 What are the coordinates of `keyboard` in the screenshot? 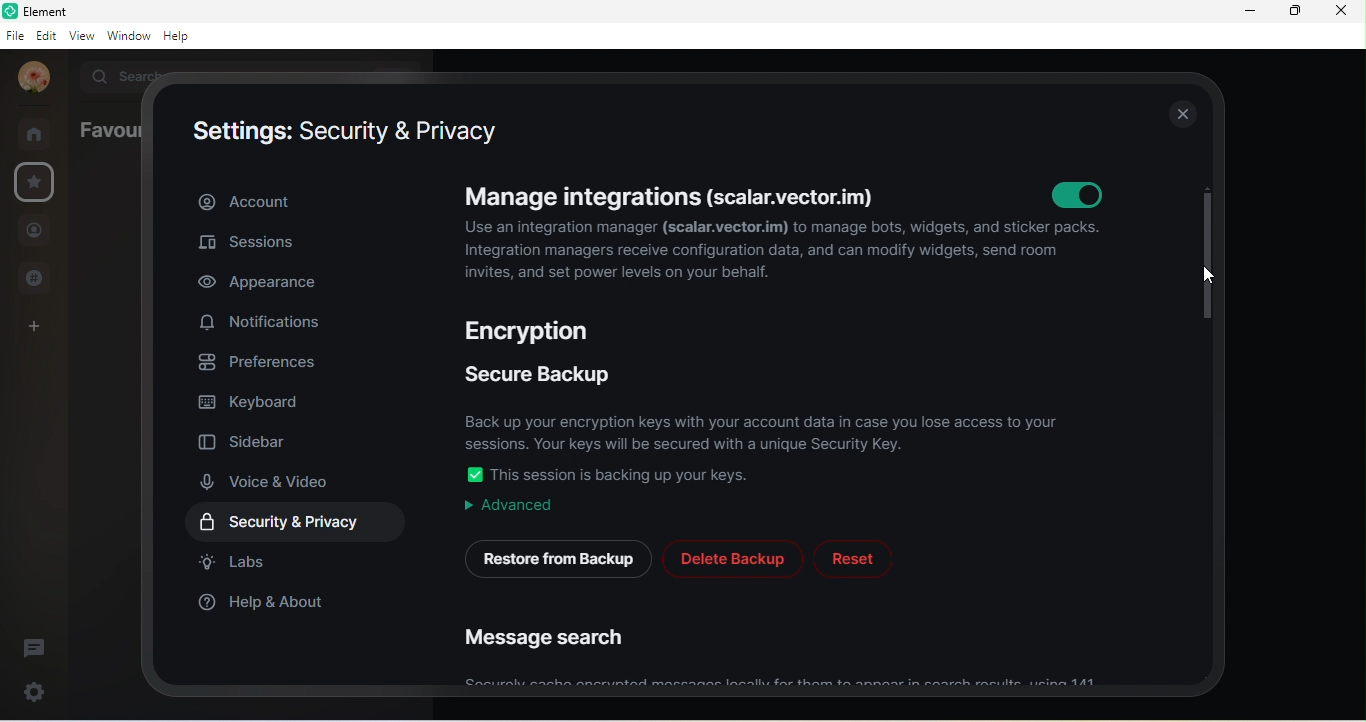 It's located at (255, 399).